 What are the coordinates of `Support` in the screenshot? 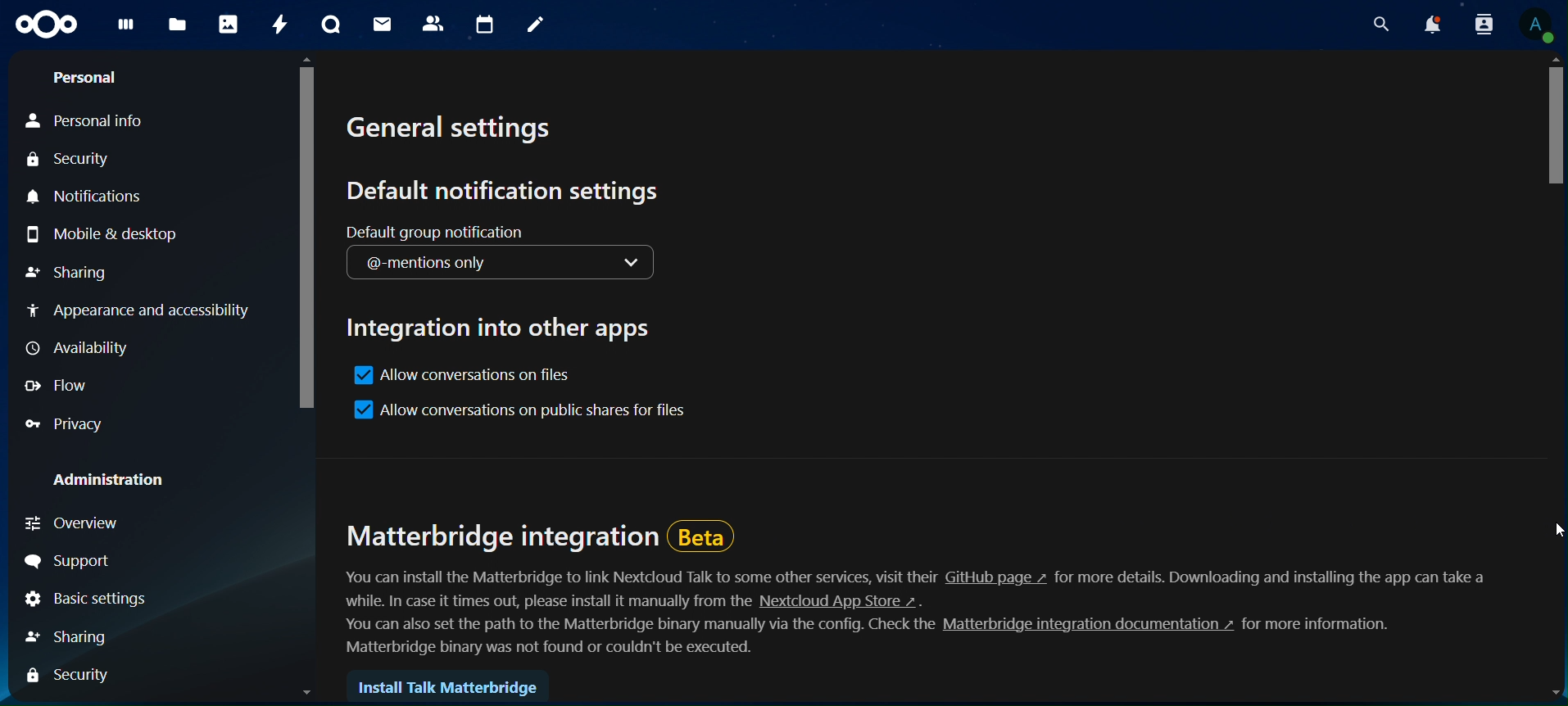 It's located at (72, 561).